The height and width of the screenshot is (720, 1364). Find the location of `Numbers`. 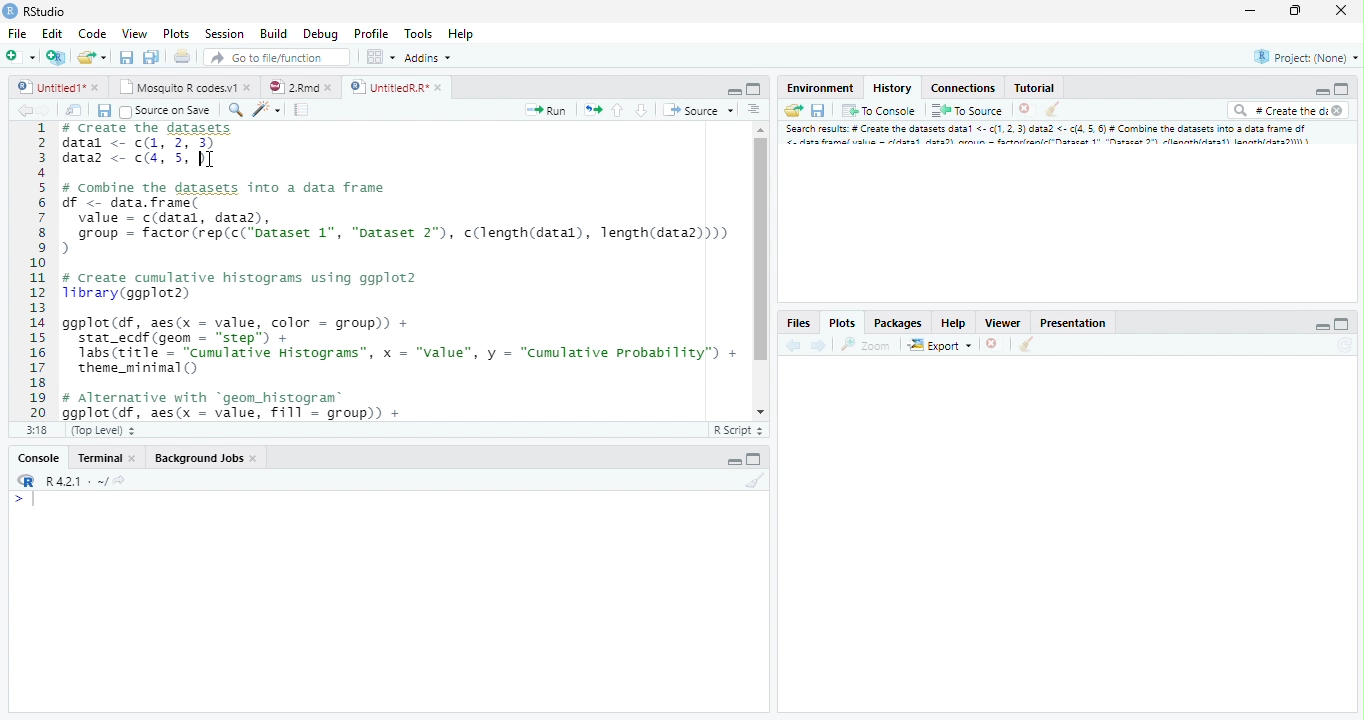

Numbers is located at coordinates (40, 269).